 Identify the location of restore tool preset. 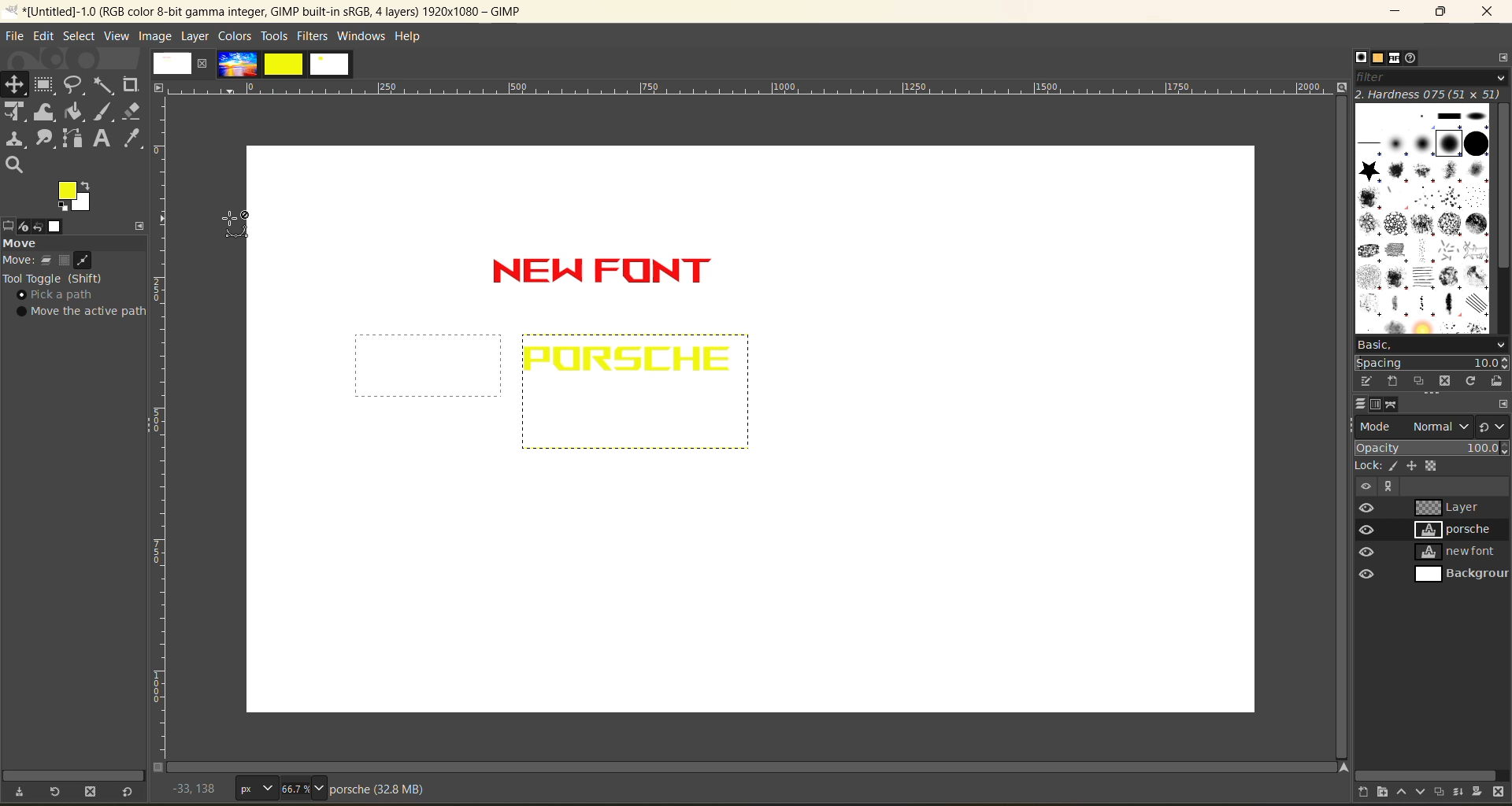
(57, 793).